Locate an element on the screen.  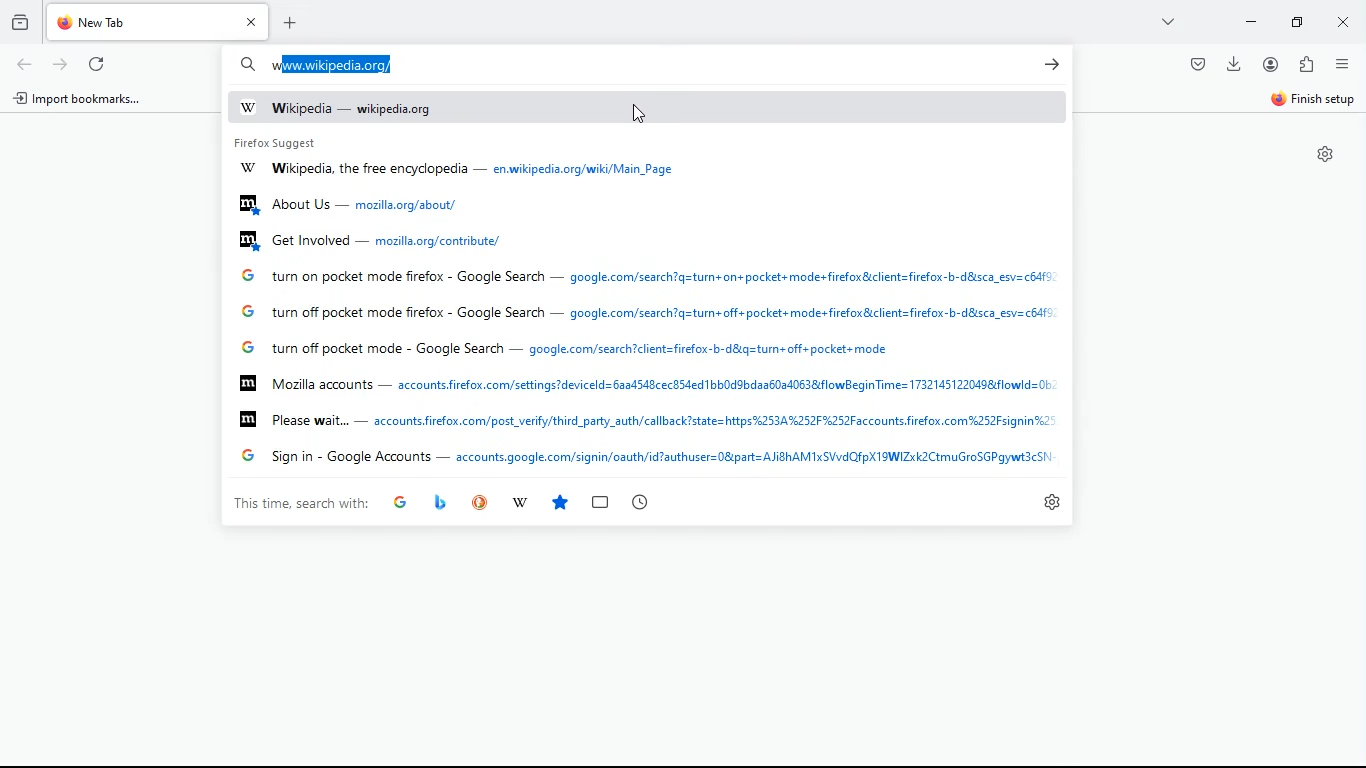
firefox suggestions is located at coordinates (650, 277).